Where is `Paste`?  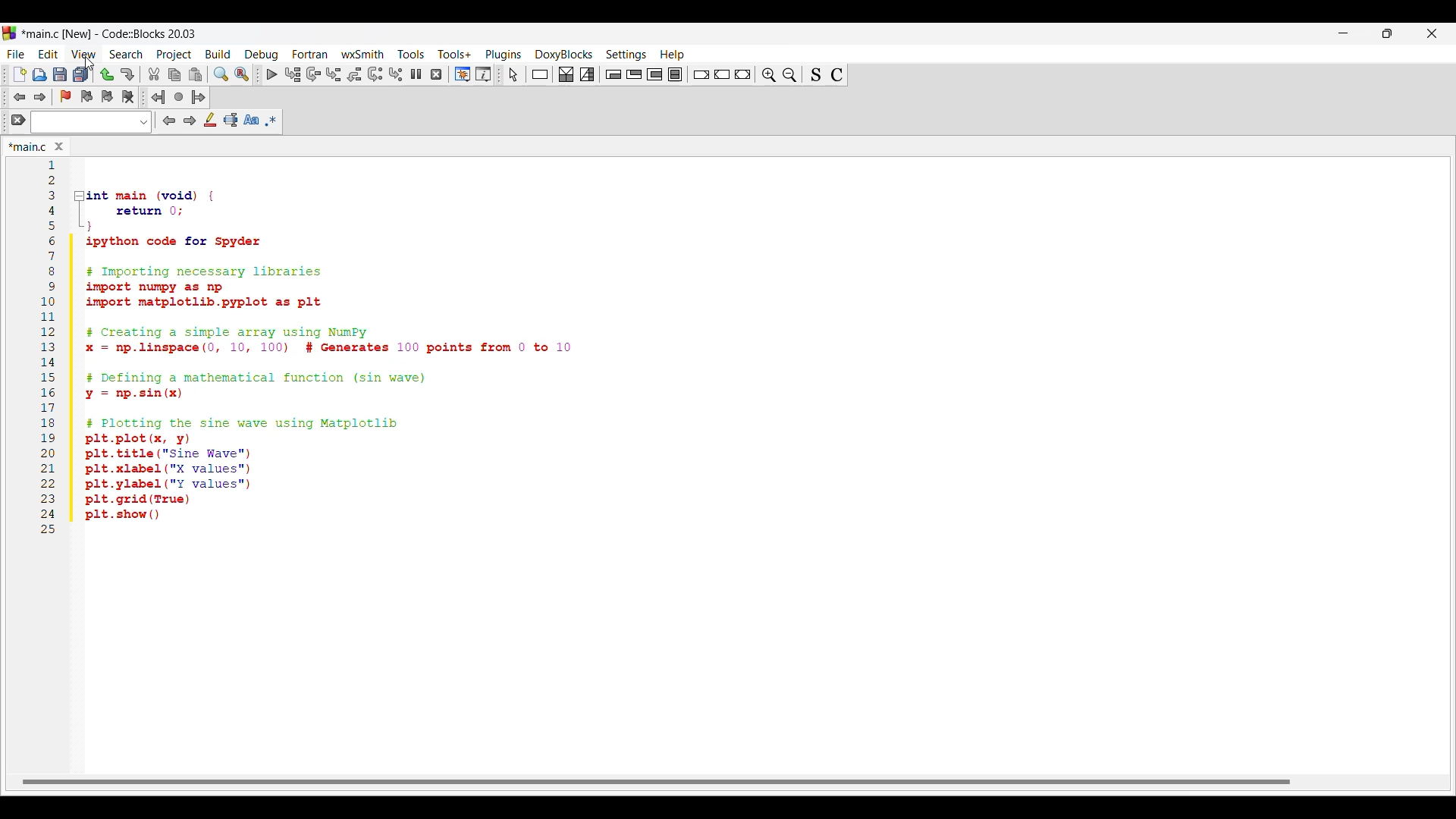
Paste is located at coordinates (196, 74).